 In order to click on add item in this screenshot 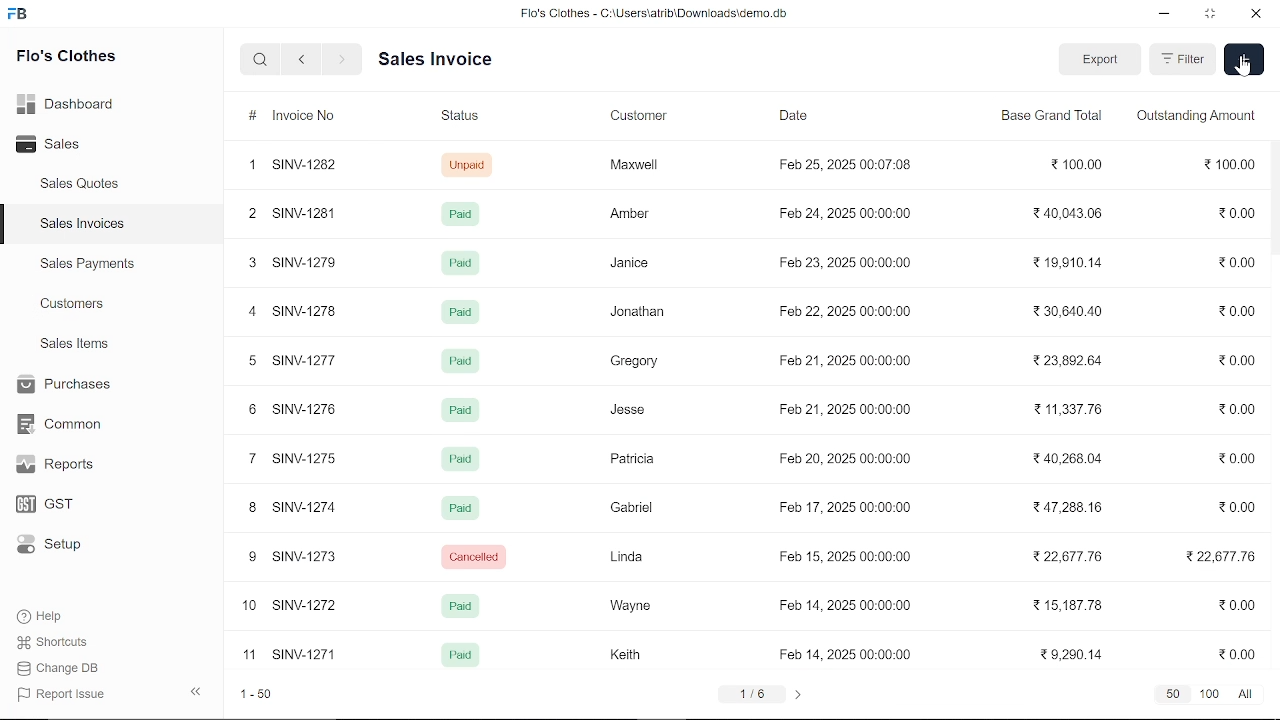, I will do `click(1244, 59)`.